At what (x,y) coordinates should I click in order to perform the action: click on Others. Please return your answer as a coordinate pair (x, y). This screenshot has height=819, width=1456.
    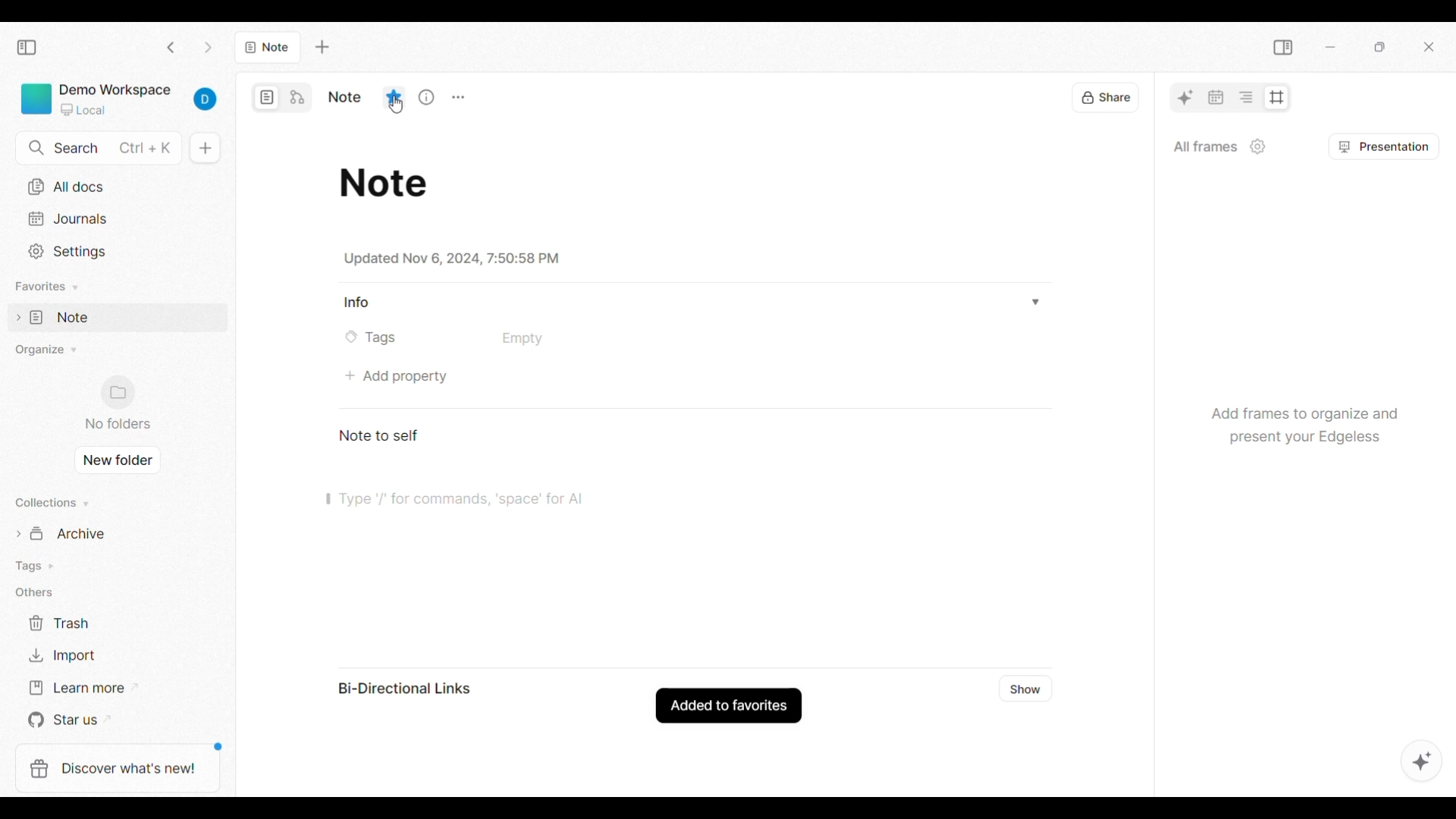
    Looking at the image, I should click on (36, 594).